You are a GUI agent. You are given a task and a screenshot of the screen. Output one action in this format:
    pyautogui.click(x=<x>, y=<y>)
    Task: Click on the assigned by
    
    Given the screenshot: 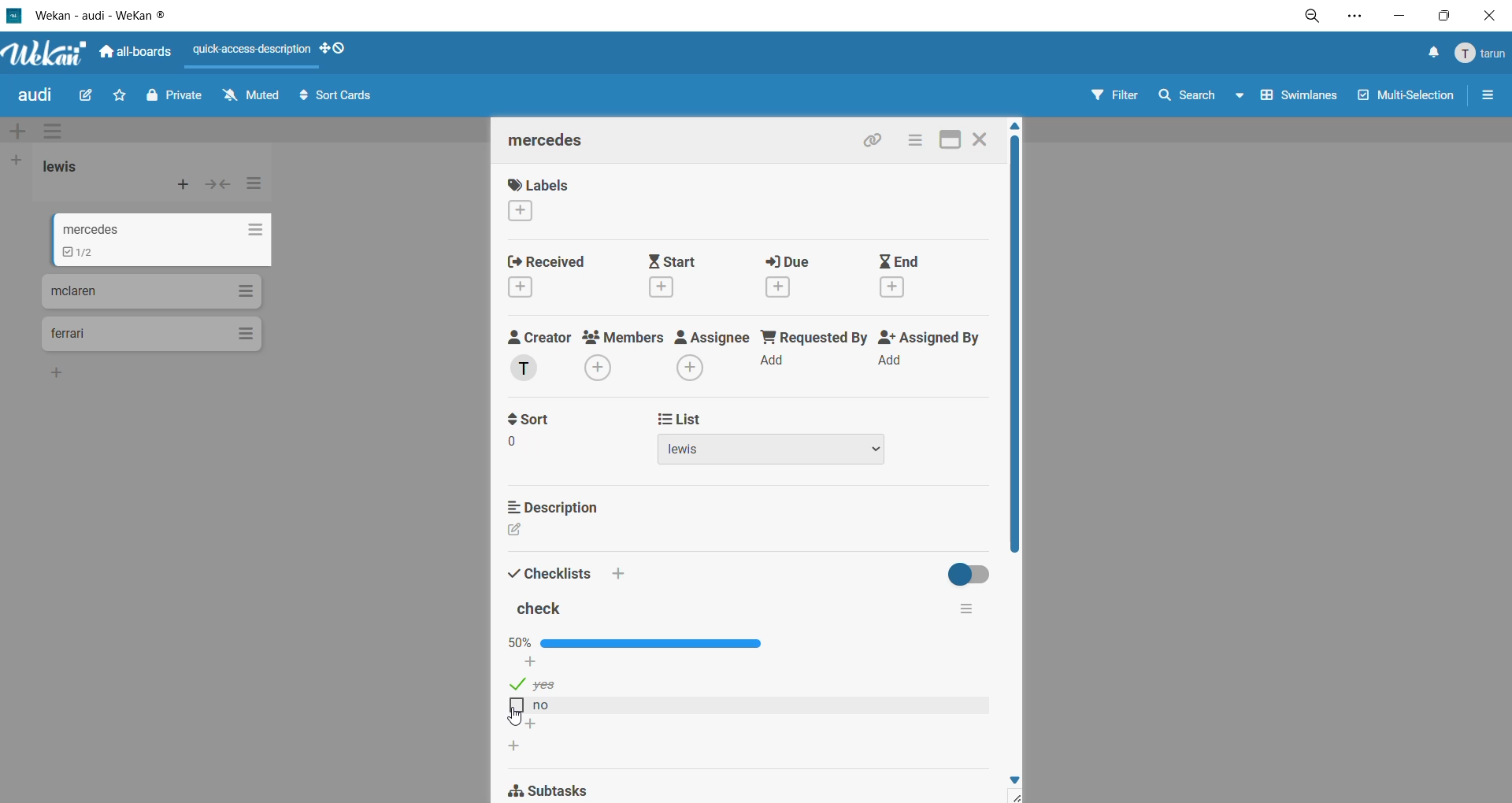 What is the action you would take?
    pyautogui.click(x=928, y=353)
    